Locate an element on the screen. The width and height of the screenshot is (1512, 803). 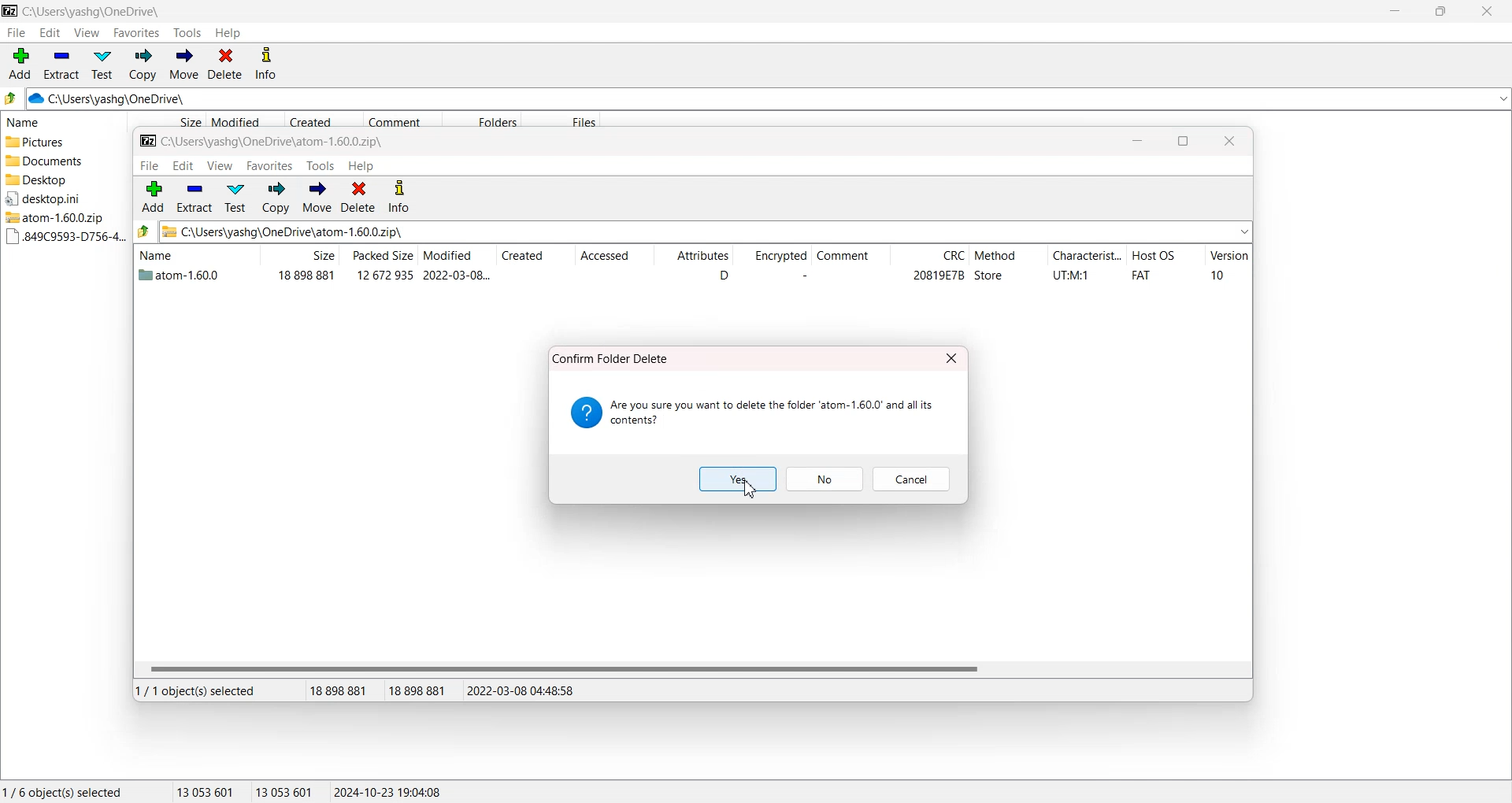
Method is located at coordinates (1007, 257).